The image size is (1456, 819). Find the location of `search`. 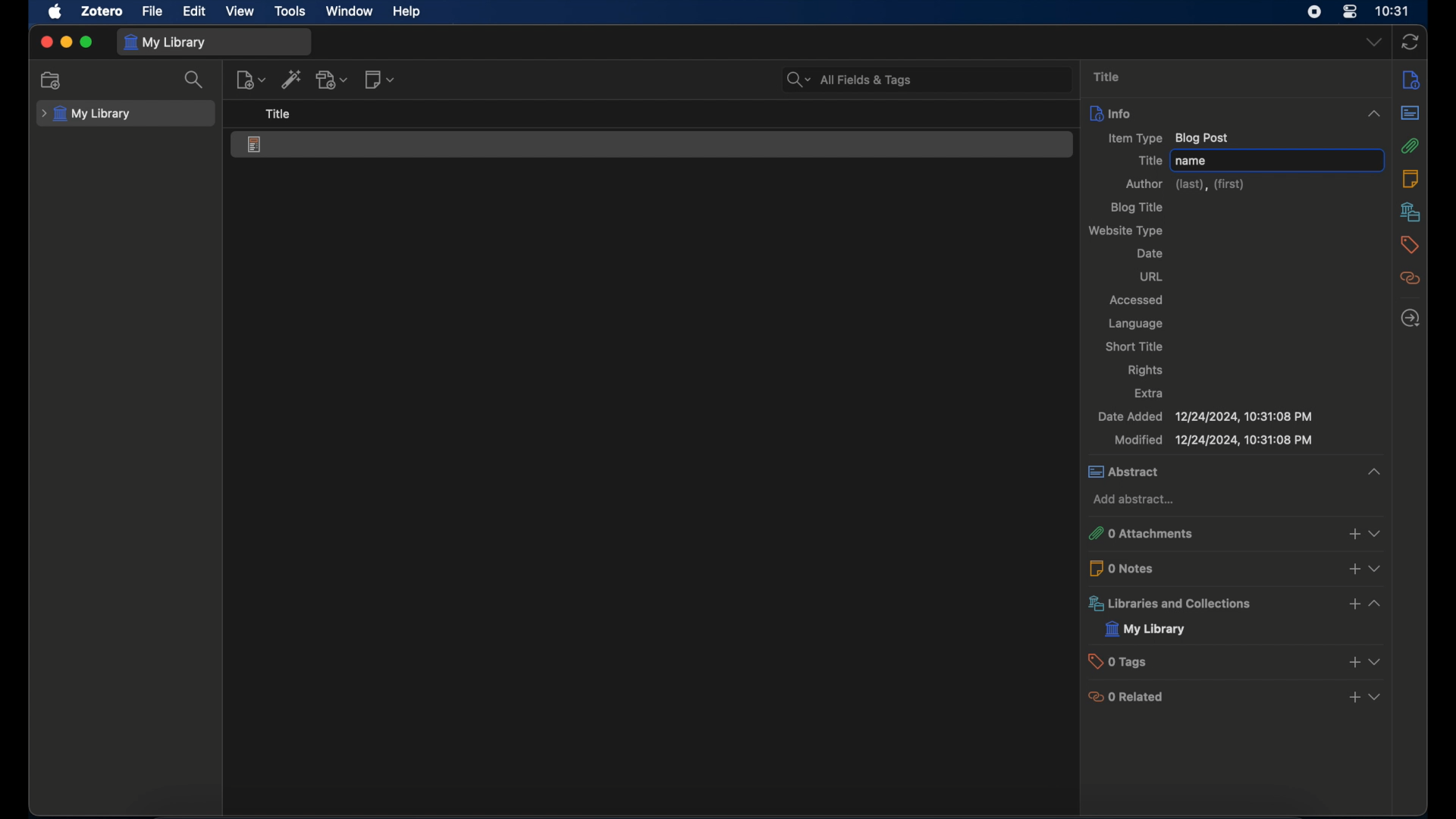

search is located at coordinates (194, 80).